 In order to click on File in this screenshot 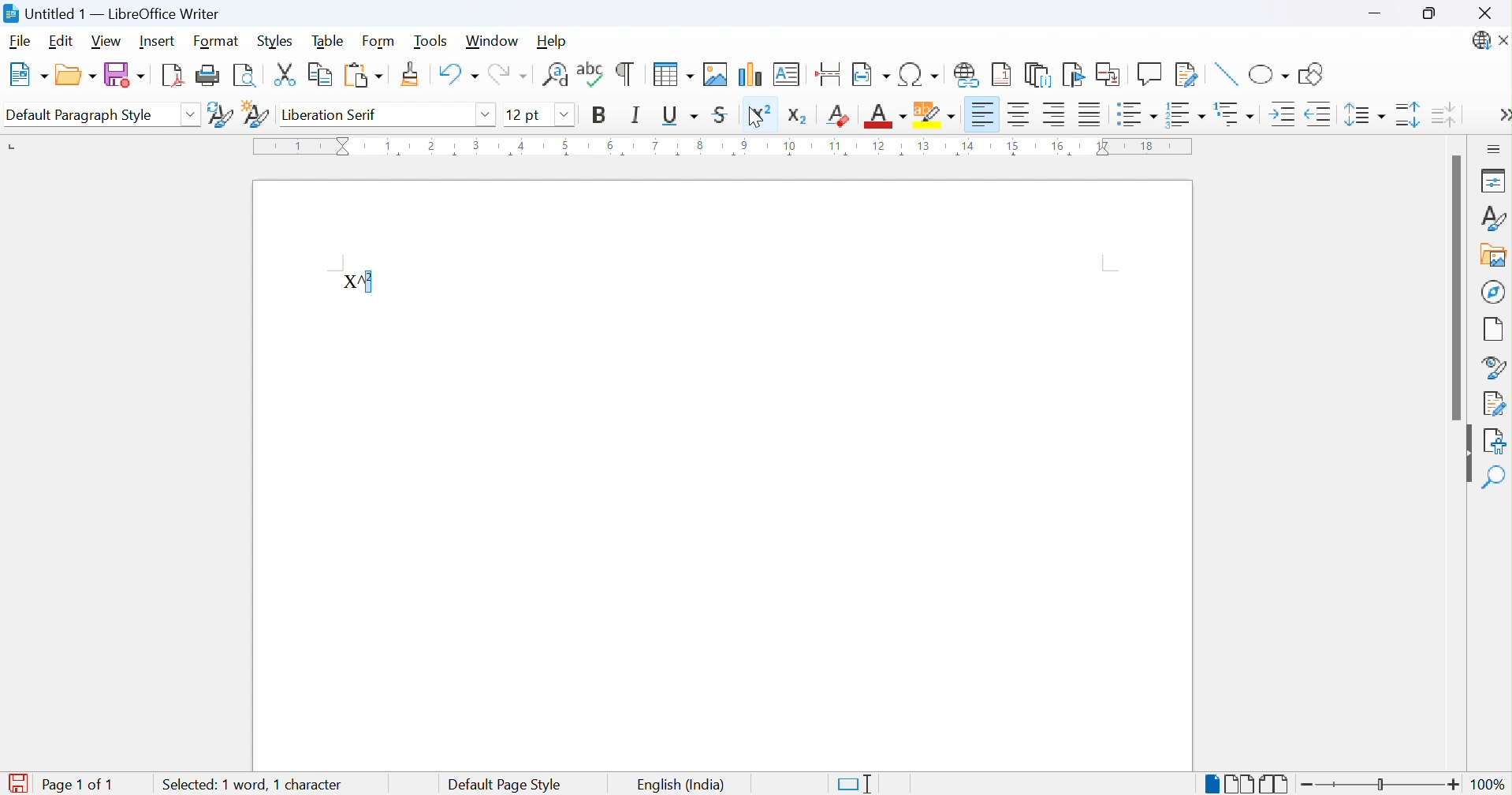, I will do `click(19, 42)`.